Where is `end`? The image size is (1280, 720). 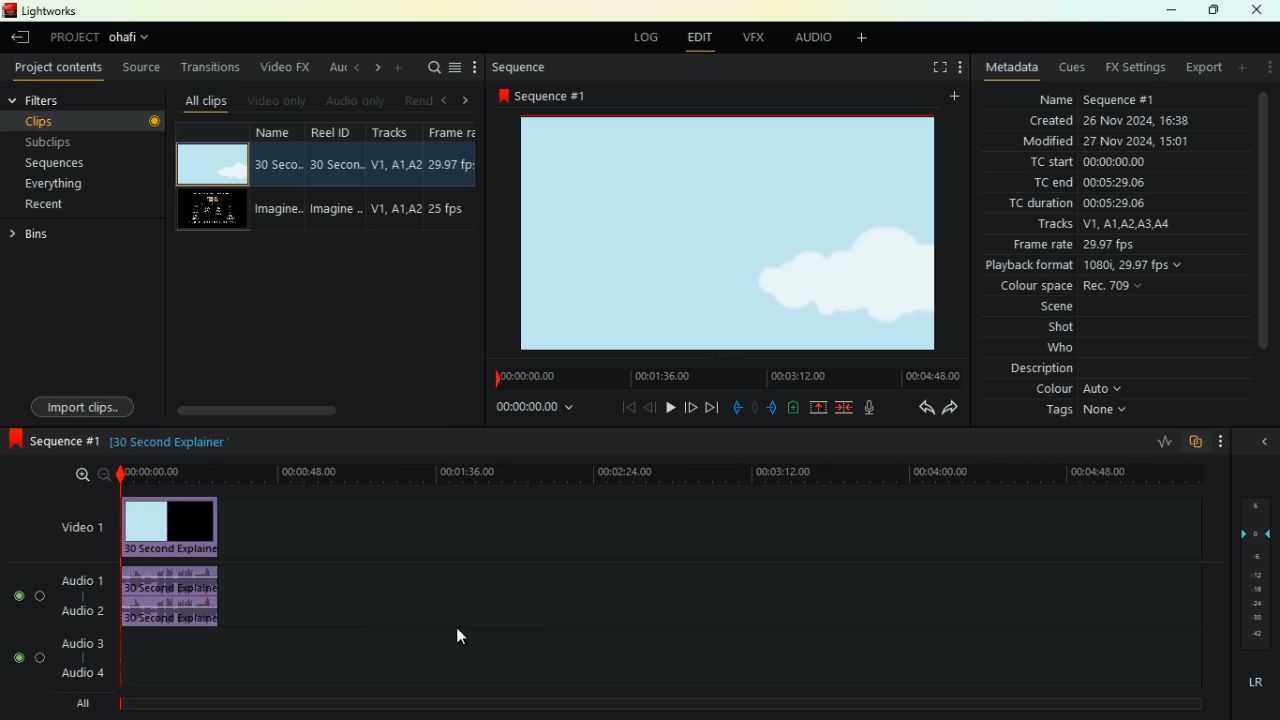
end is located at coordinates (712, 406).